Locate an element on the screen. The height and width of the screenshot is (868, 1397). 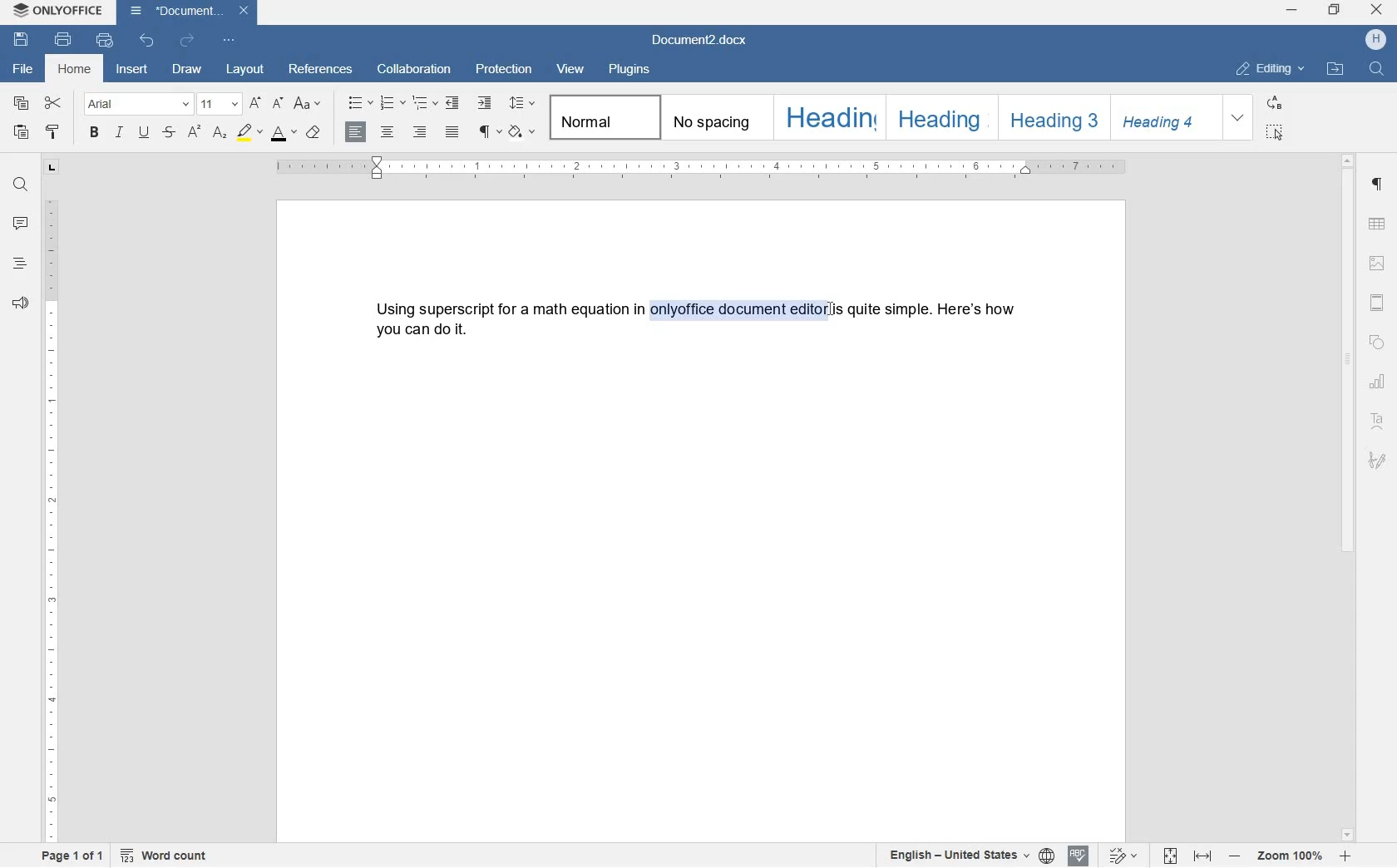
paste is located at coordinates (21, 133).